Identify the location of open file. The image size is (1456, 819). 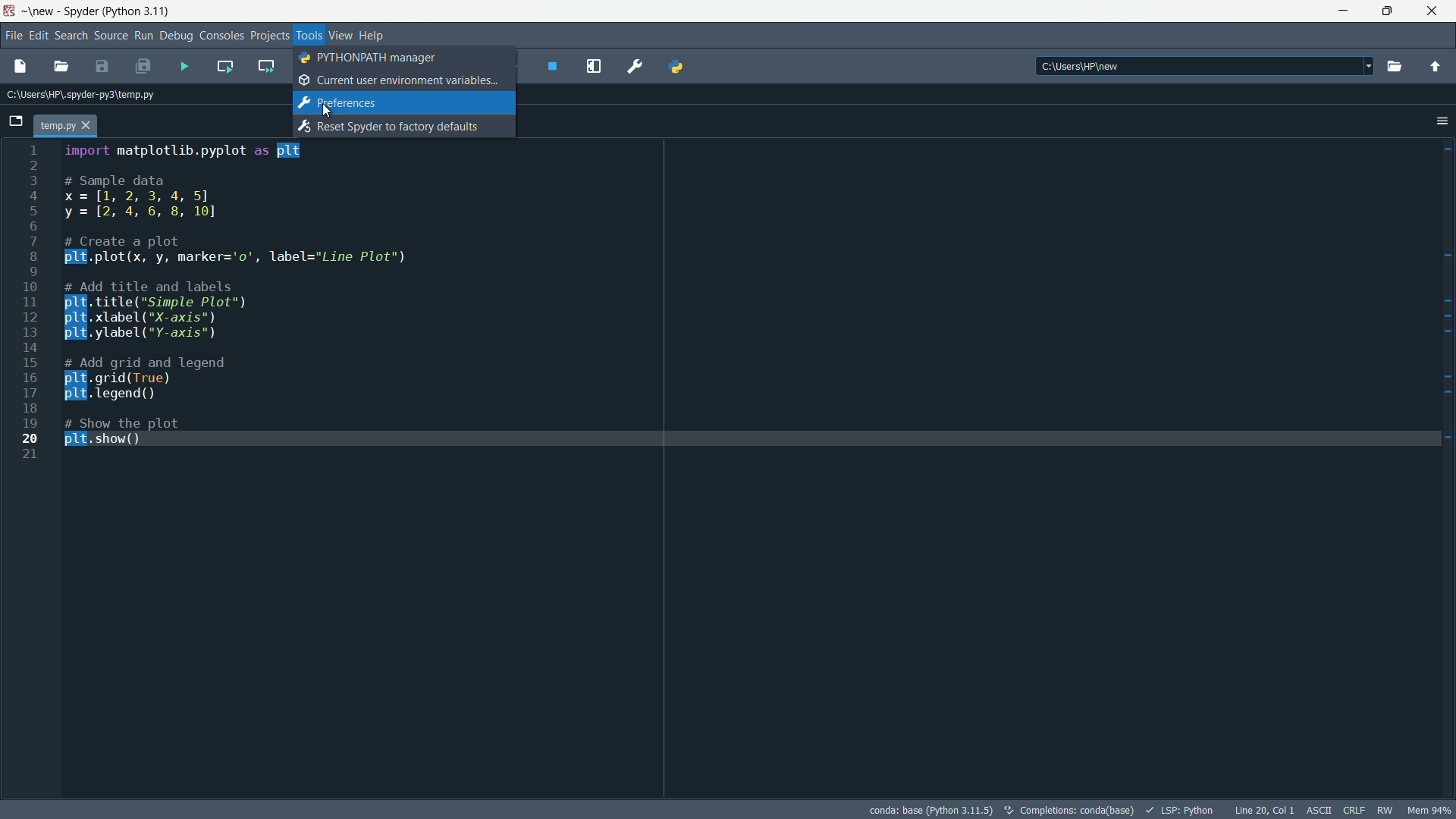
(62, 67).